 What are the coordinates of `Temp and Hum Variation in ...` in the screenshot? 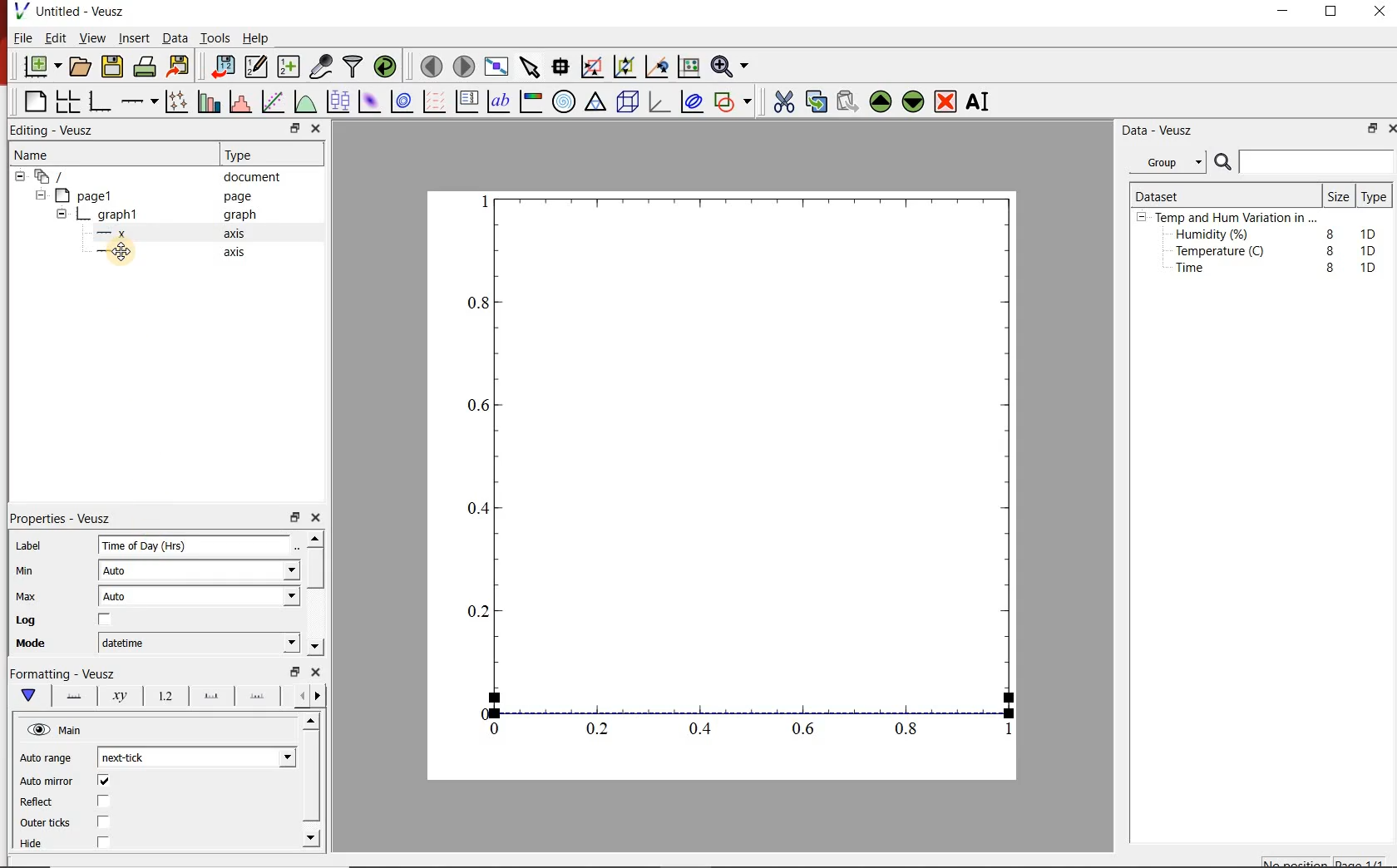 It's located at (1236, 218).